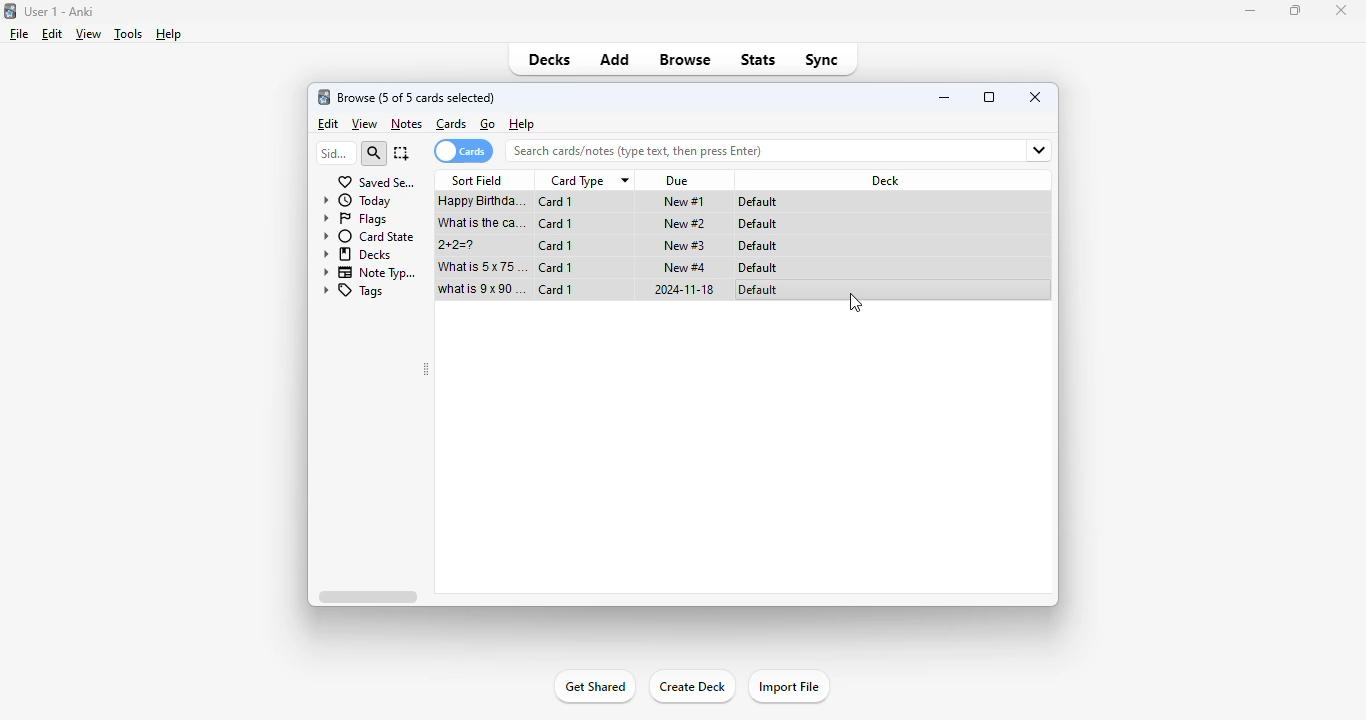  I want to click on tags, so click(354, 291).